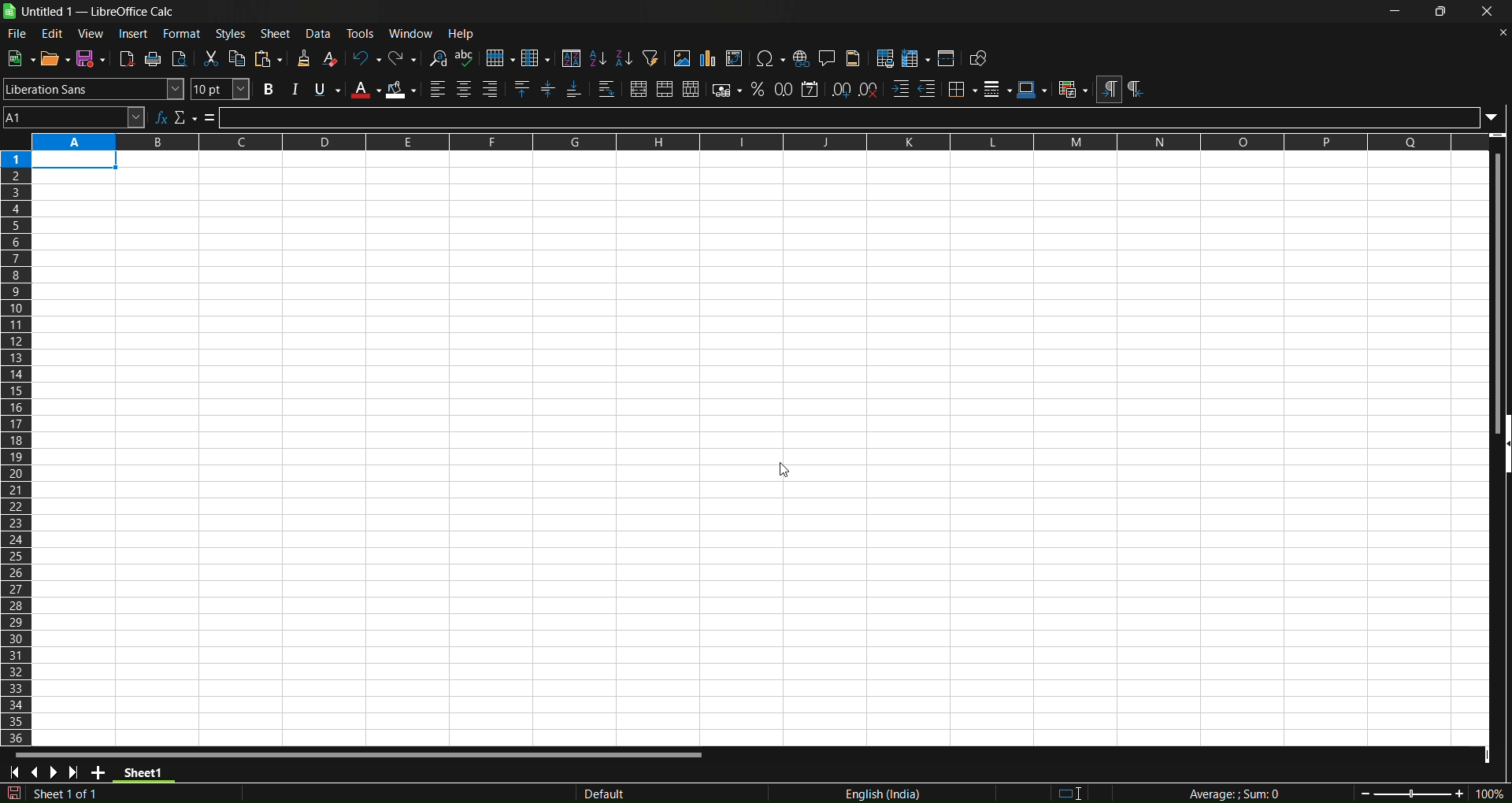 The height and width of the screenshot is (803, 1512). I want to click on undo, so click(365, 57).